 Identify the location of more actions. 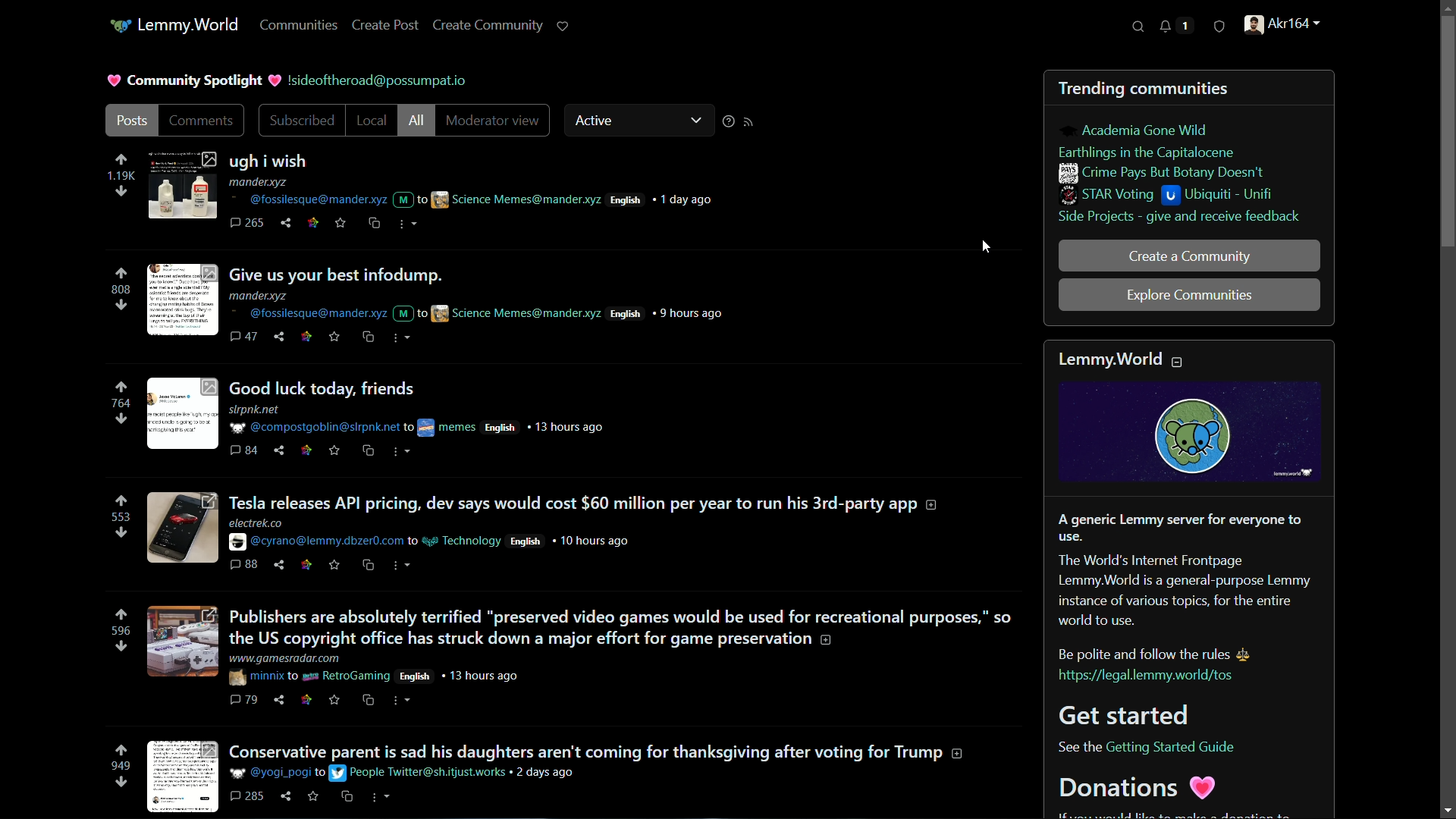
(405, 453).